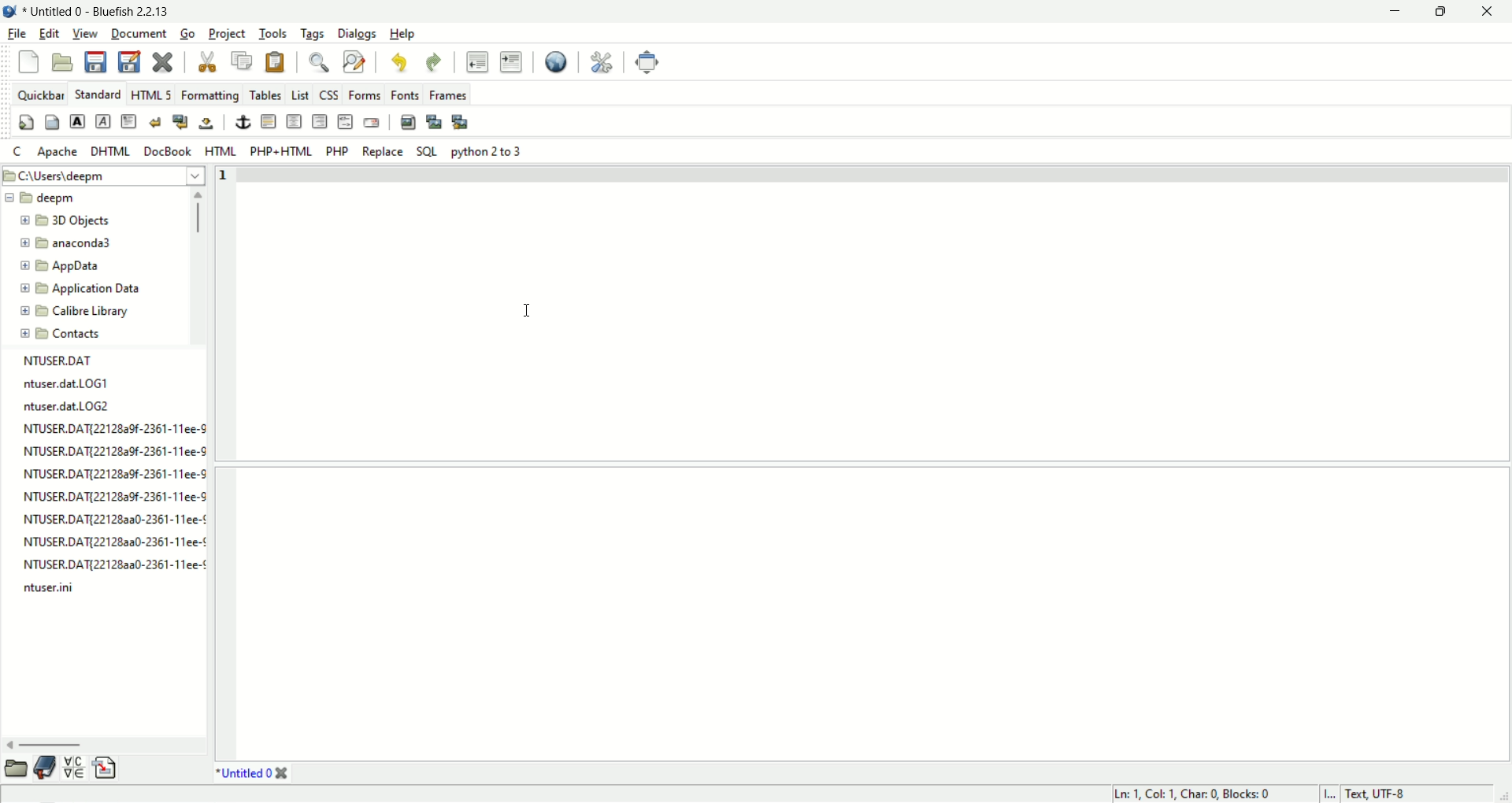  I want to click on DHTML, so click(111, 151).